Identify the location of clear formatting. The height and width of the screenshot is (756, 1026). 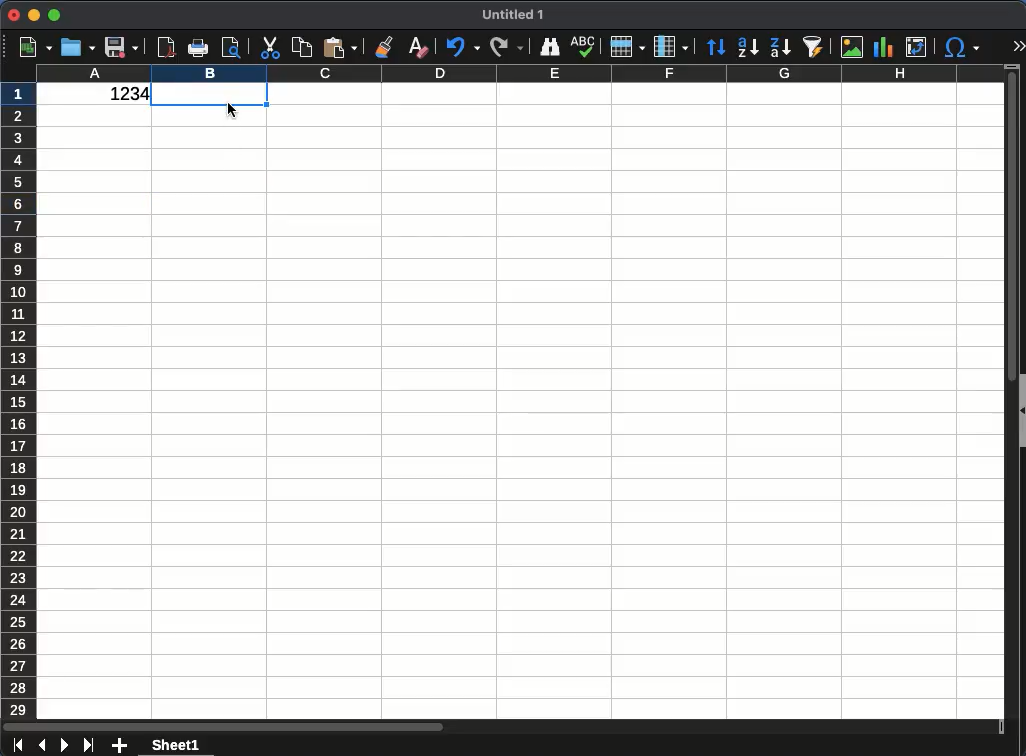
(417, 45).